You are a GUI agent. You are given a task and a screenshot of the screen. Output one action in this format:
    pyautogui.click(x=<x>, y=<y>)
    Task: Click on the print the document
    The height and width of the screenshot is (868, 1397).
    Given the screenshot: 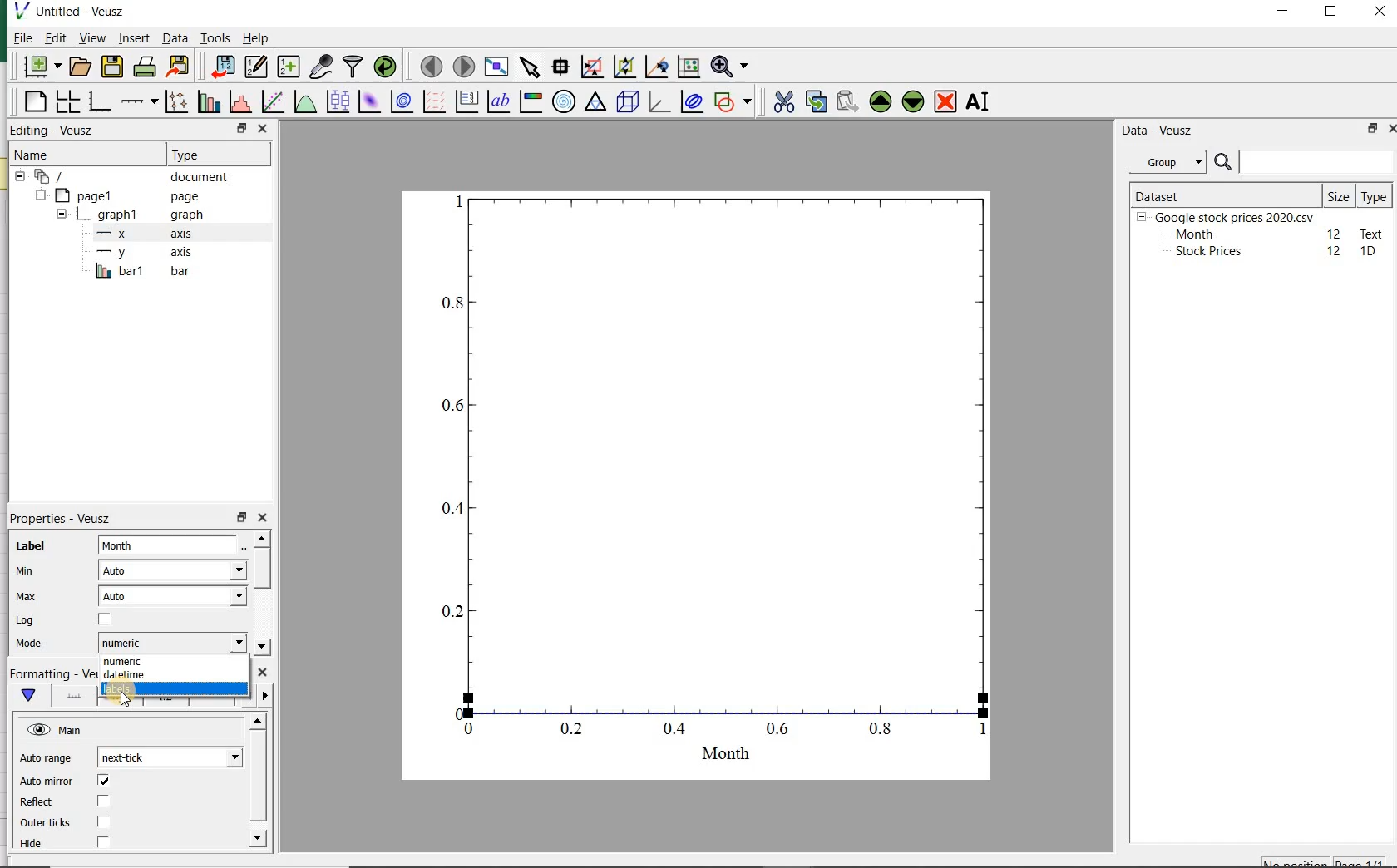 What is the action you would take?
    pyautogui.click(x=145, y=68)
    